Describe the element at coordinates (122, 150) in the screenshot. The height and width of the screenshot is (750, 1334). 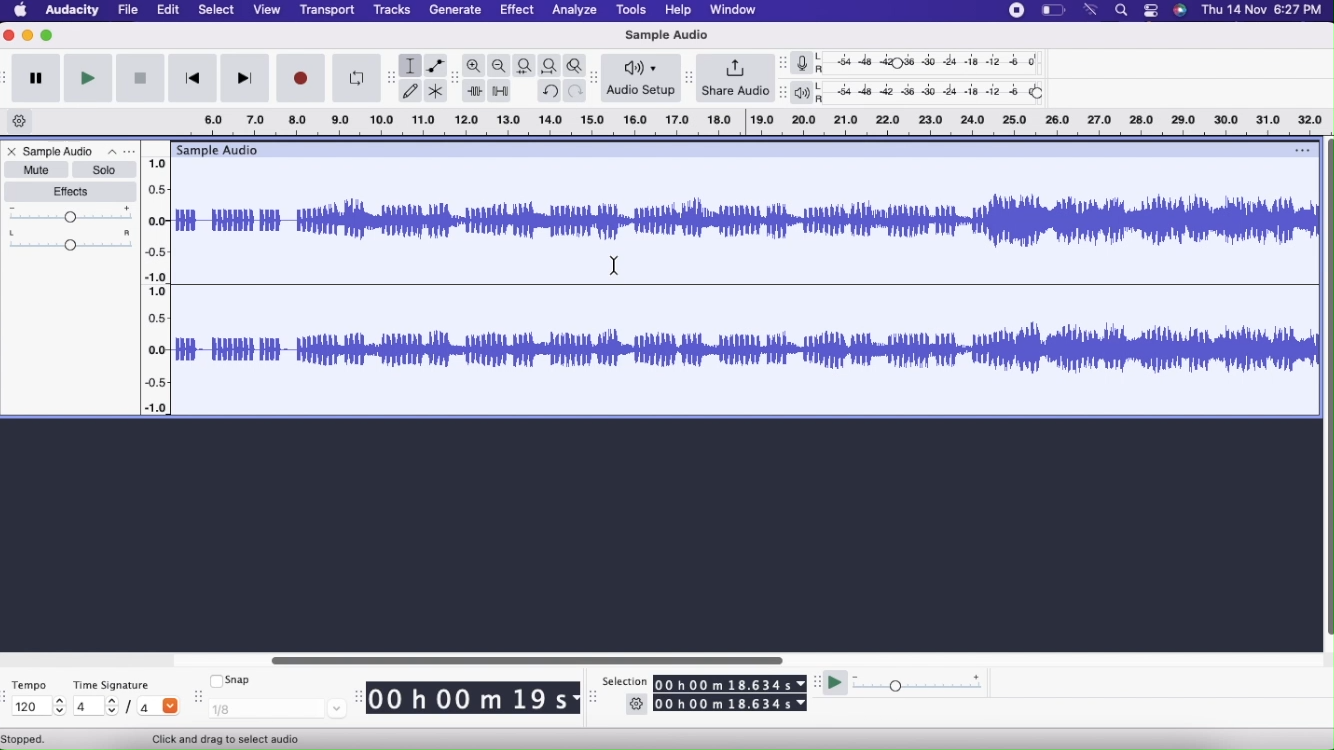
I see `Options` at that location.